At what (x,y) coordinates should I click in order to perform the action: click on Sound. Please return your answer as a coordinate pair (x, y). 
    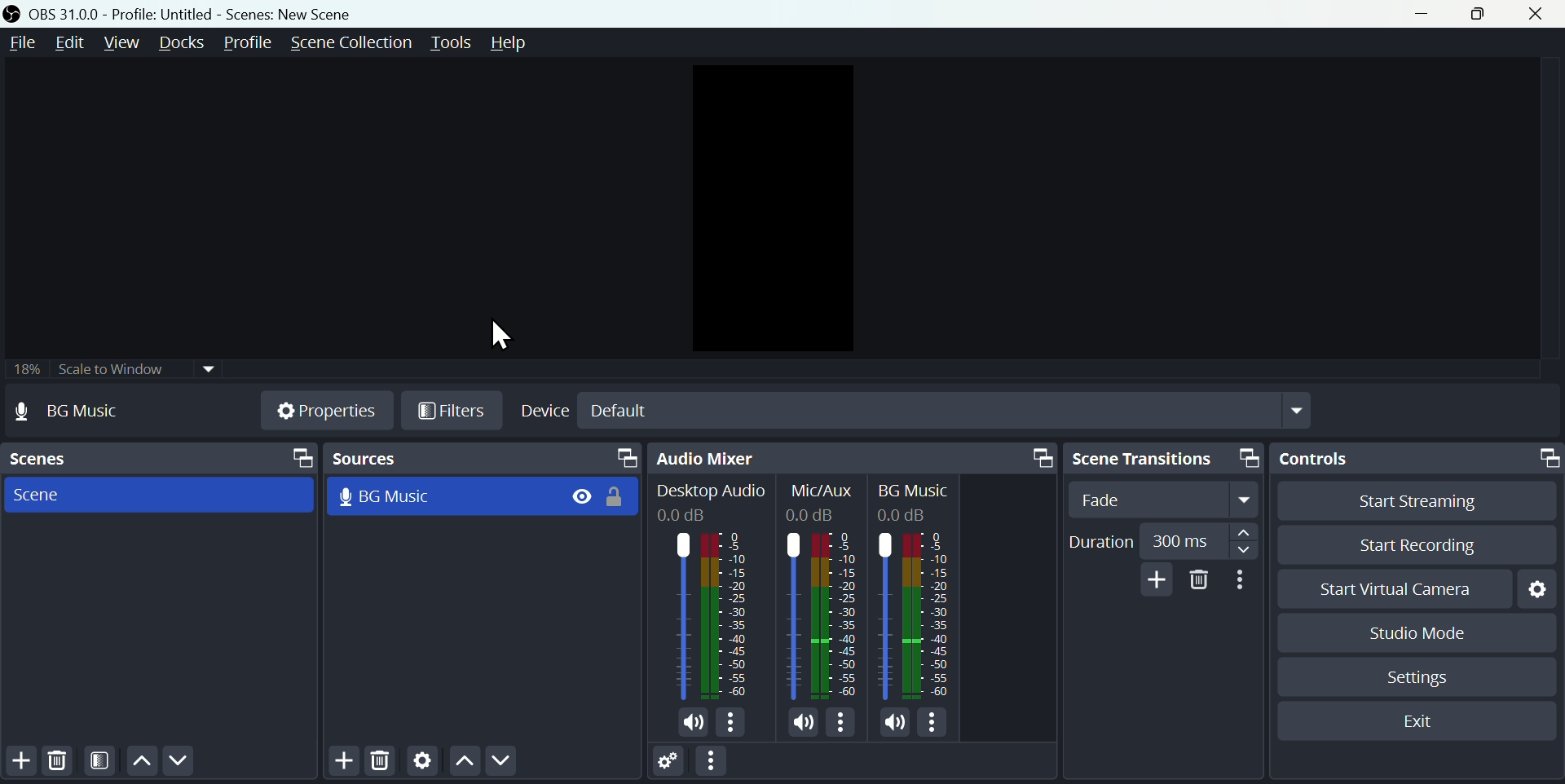
    Looking at the image, I should click on (804, 723).